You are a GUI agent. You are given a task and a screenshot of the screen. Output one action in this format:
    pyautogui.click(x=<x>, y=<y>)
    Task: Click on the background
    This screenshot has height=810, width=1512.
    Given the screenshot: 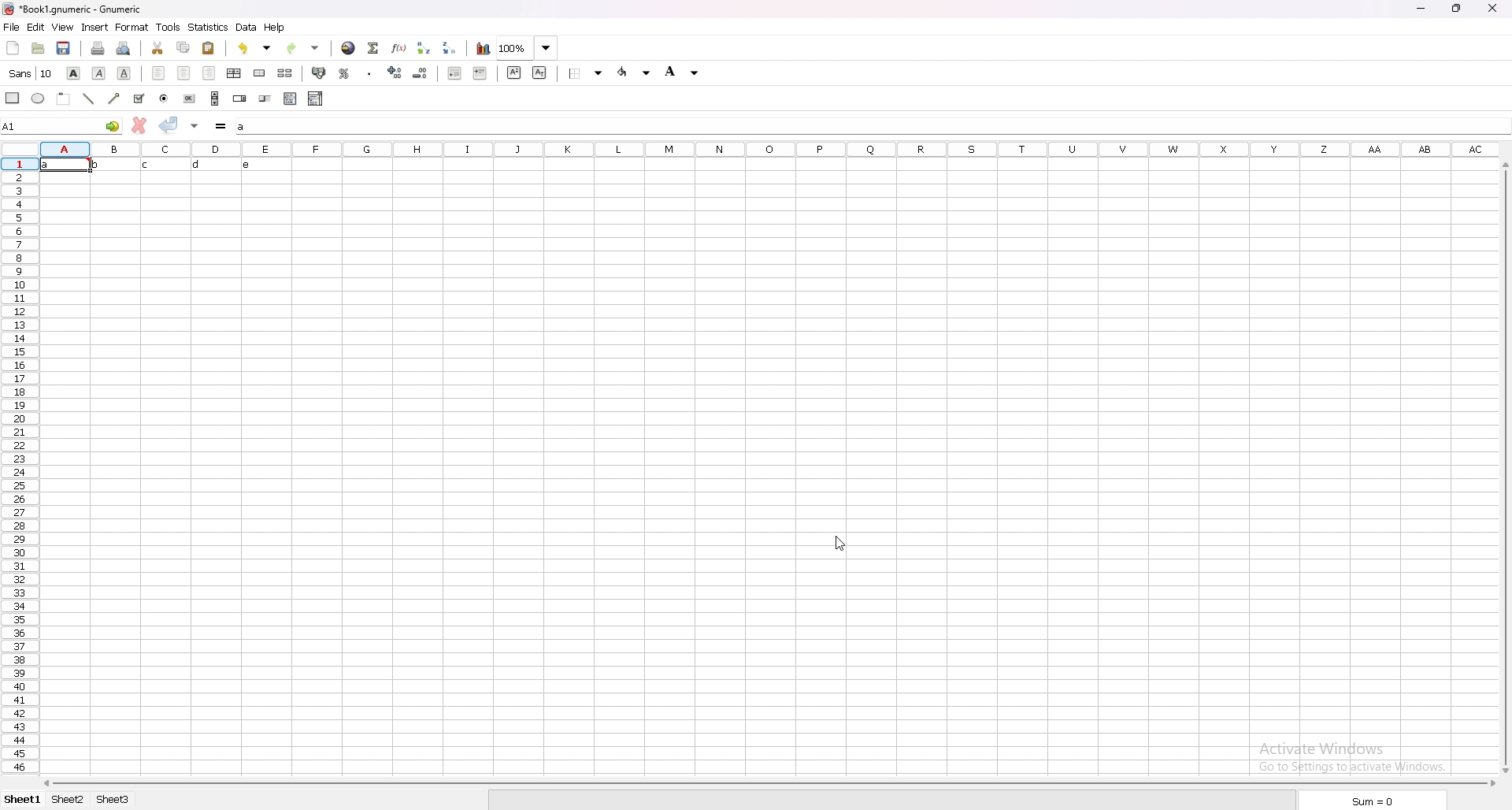 What is the action you would take?
    pyautogui.click(x=683, y=71)
    